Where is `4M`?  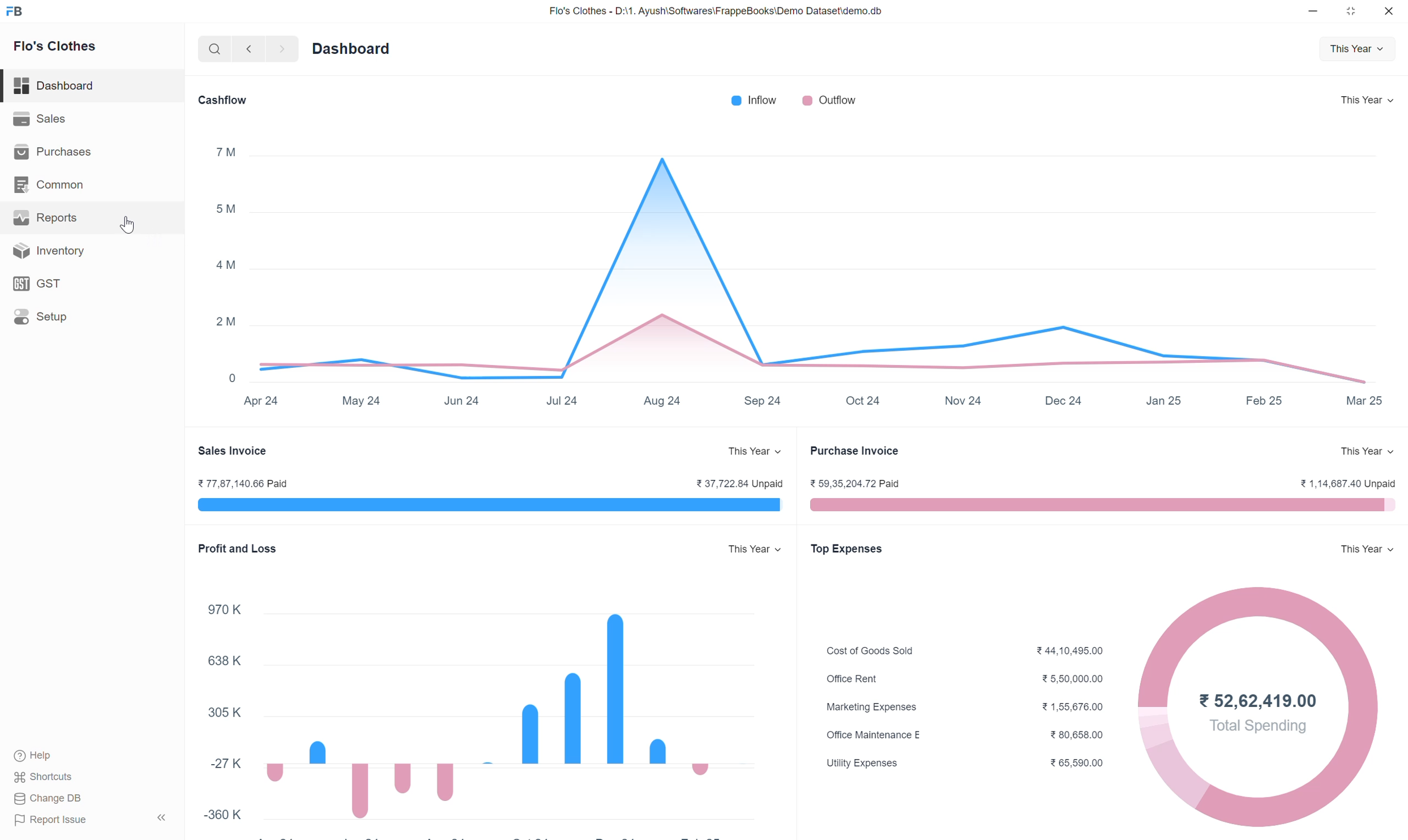
4M is located at coordinates (226, 266).